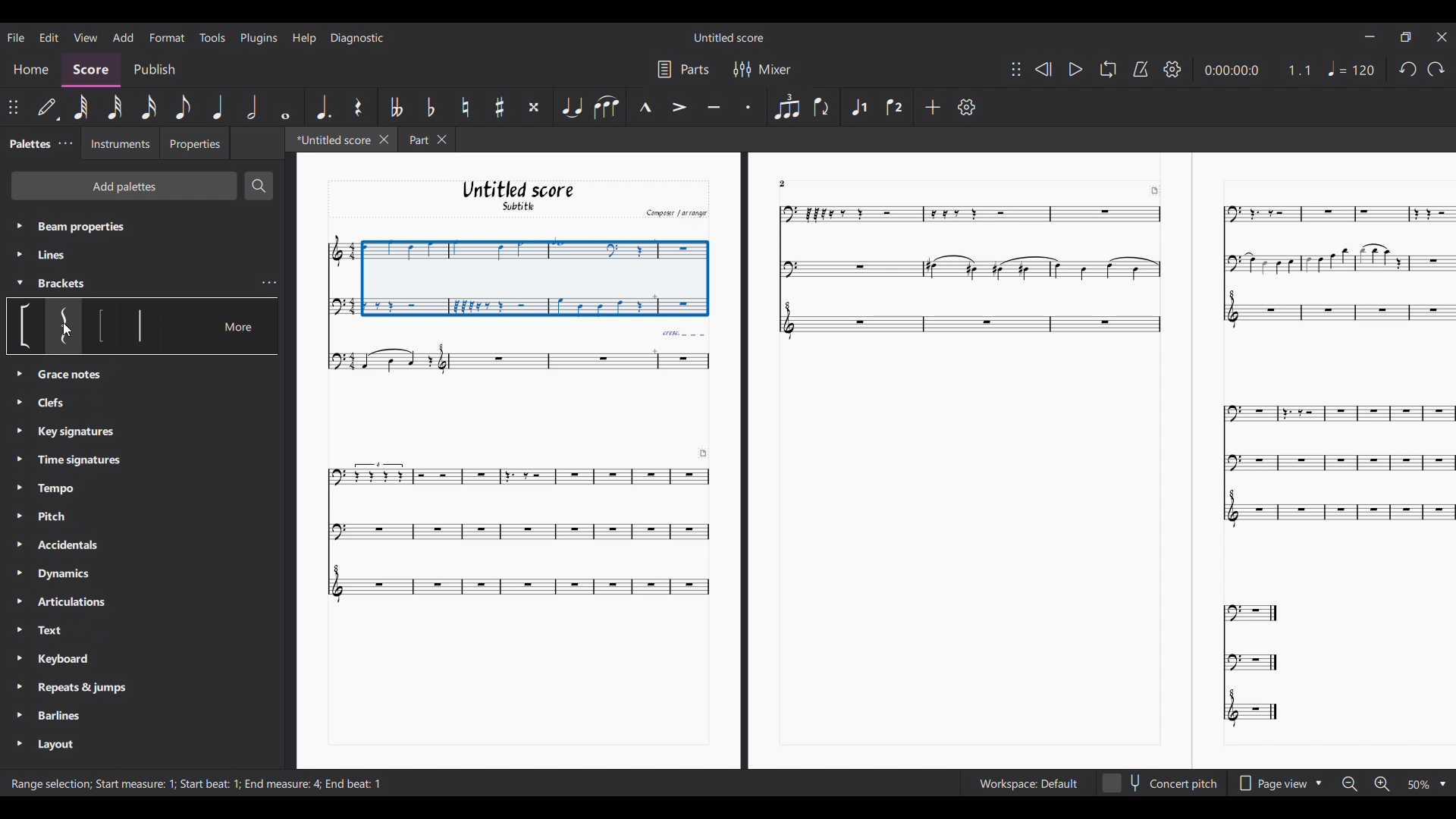  What do you see at coordinates (1028, 783) in the screenshot?
I see `Workspace setting` at bounding box center [1028, 783].